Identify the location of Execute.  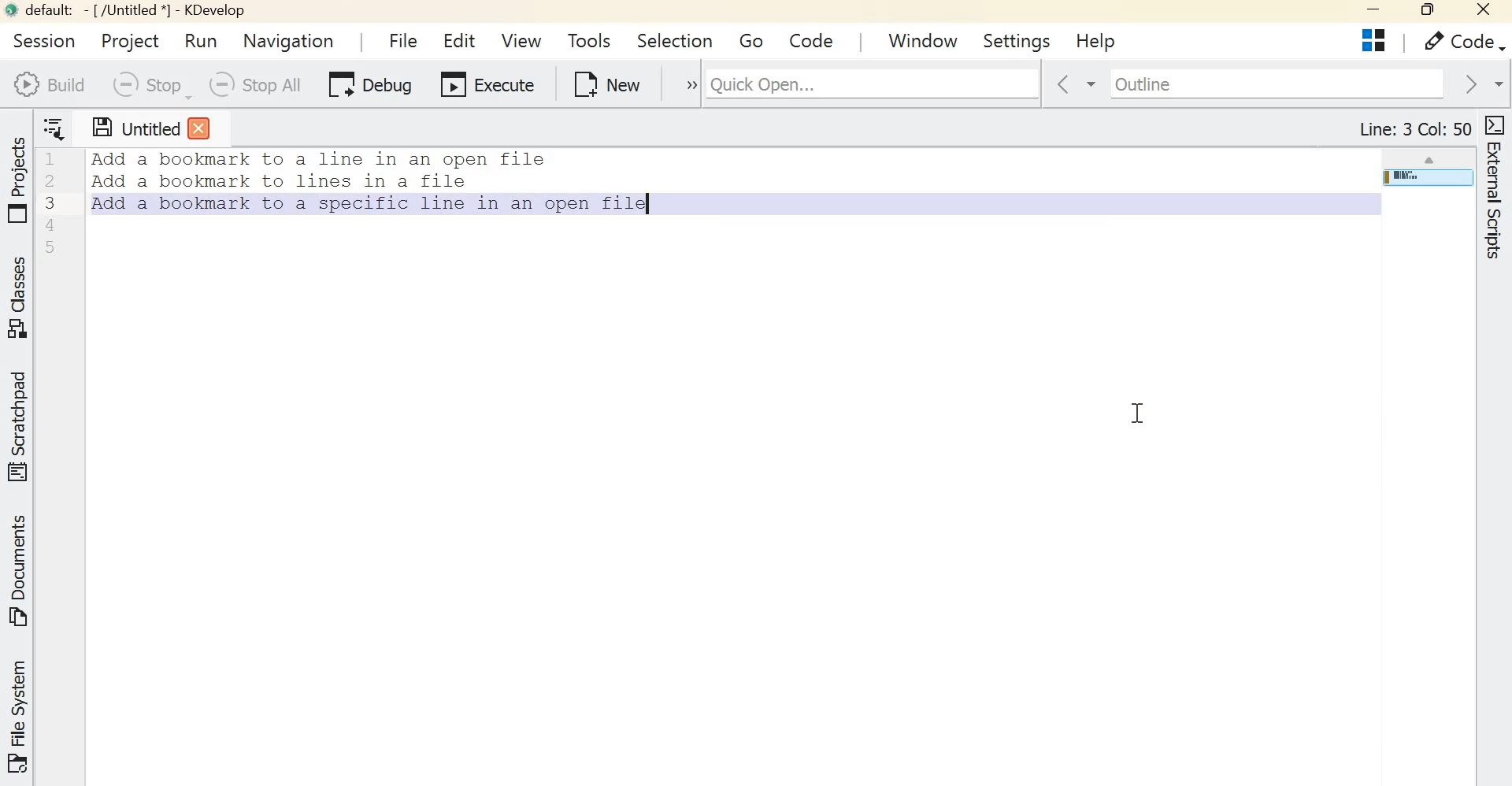
(485, 81).